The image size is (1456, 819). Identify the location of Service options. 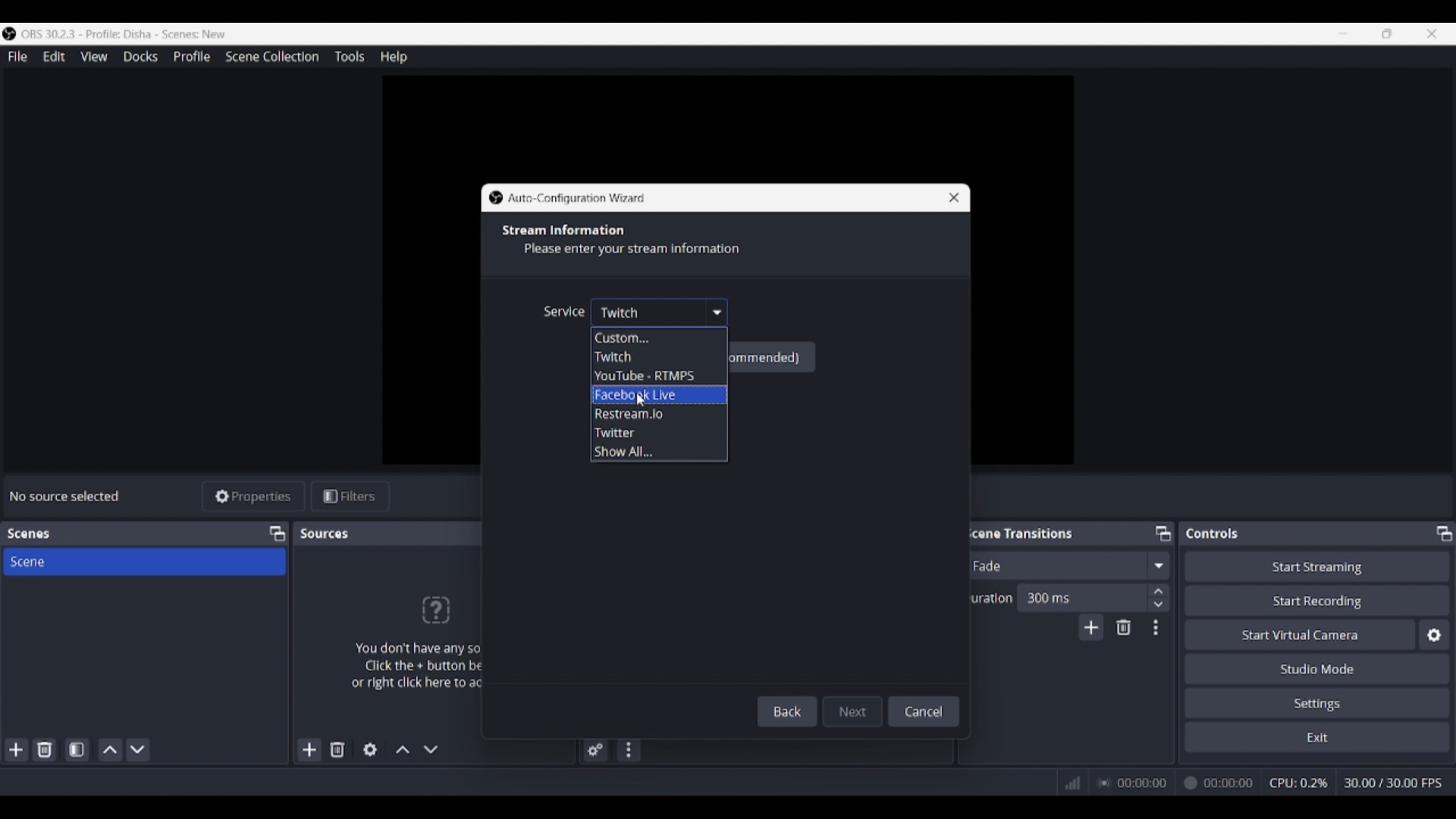
(659, 312).